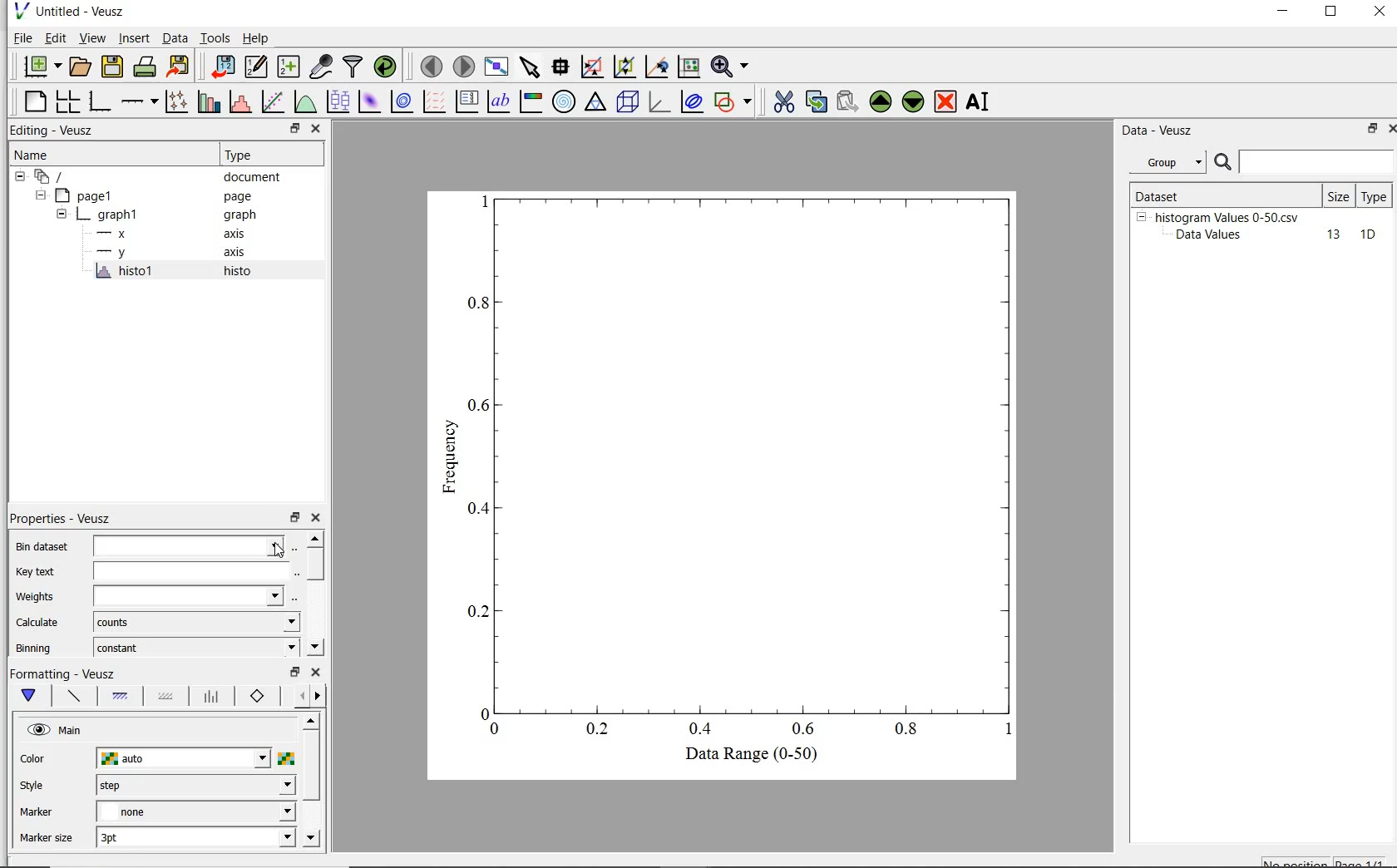 The image size is (1397, 868). What do you see at coordinates (1227, 216) in the screenshot?
I see `histogram Values 0-50.csv` at bounding box center [1227, 216].